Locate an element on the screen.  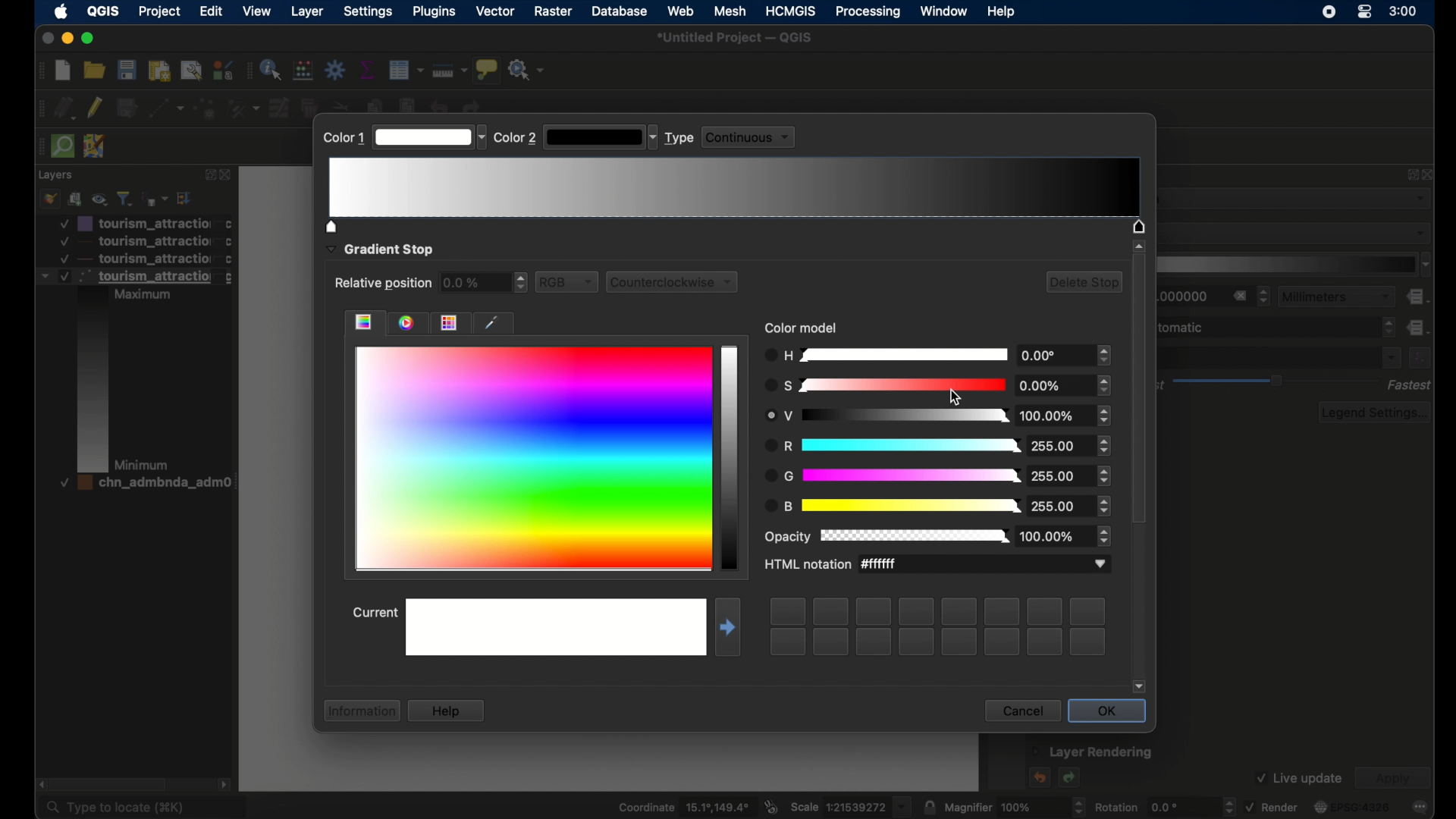
expand is located at coordinates (186, 198).